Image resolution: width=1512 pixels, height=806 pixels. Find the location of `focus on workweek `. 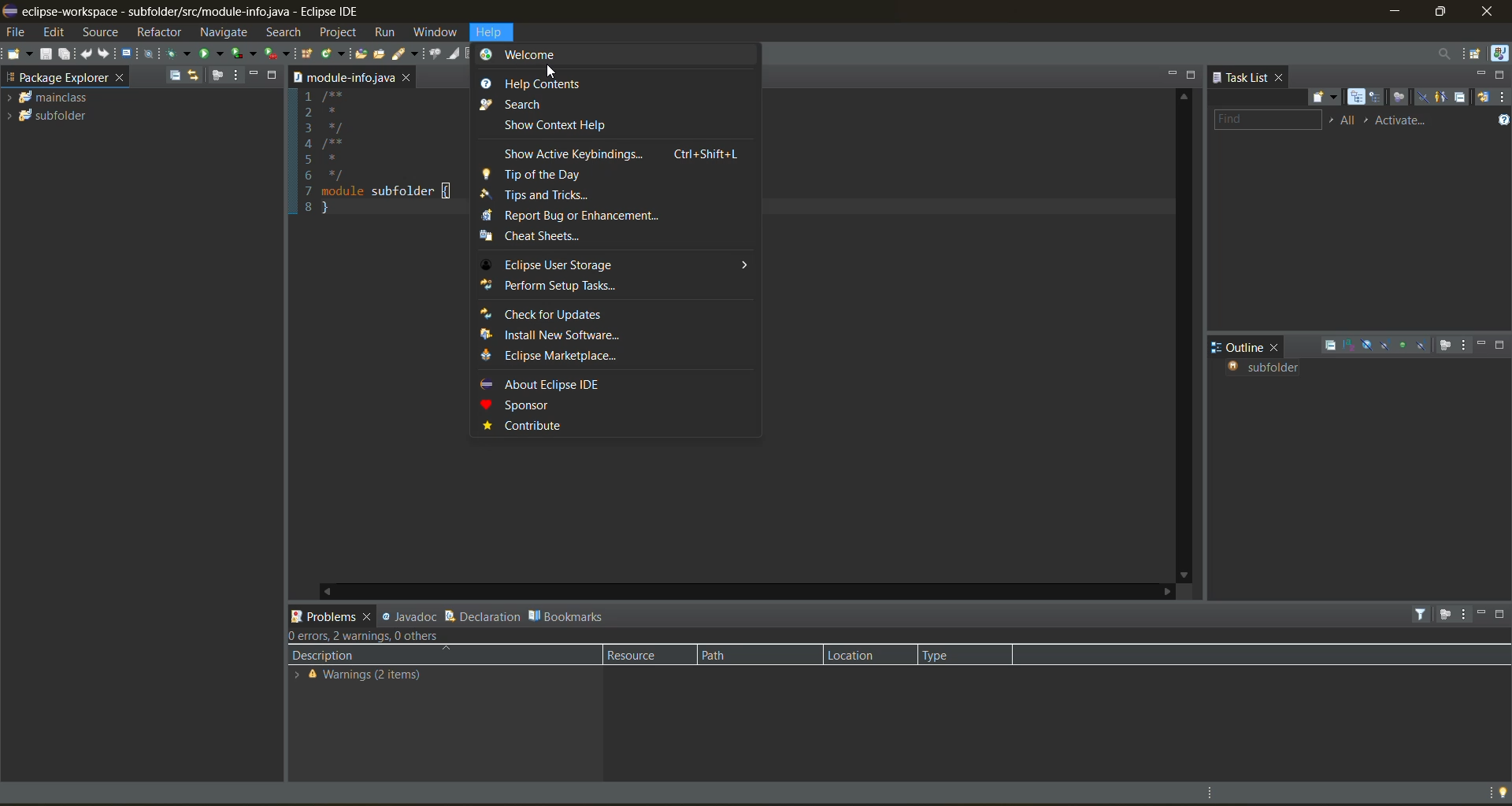

focus on workweek  is located at coordinates (1401, 97).